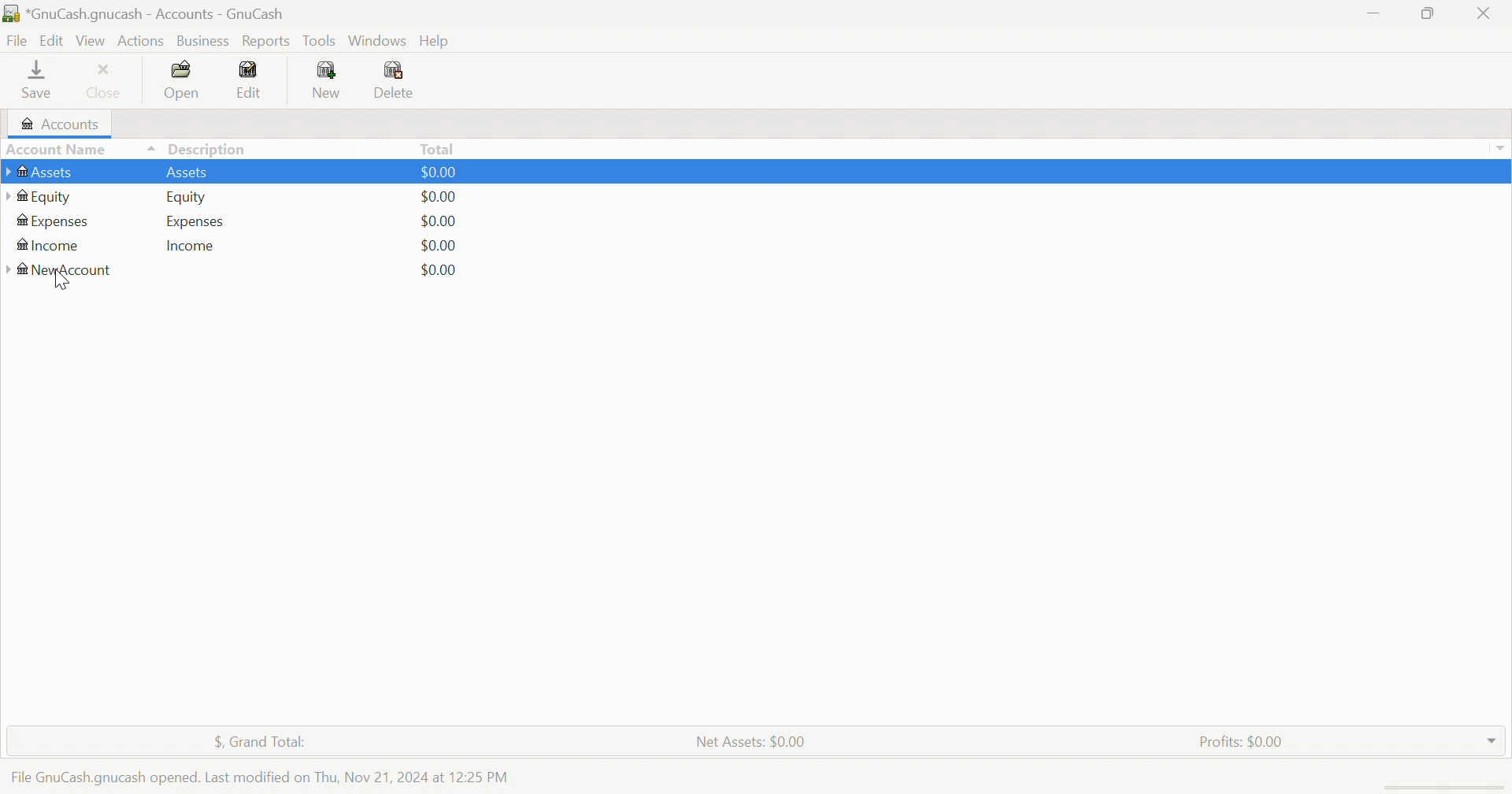 This screenshot has width=1512, height=794. I want to click on Total, so click(439, 148).